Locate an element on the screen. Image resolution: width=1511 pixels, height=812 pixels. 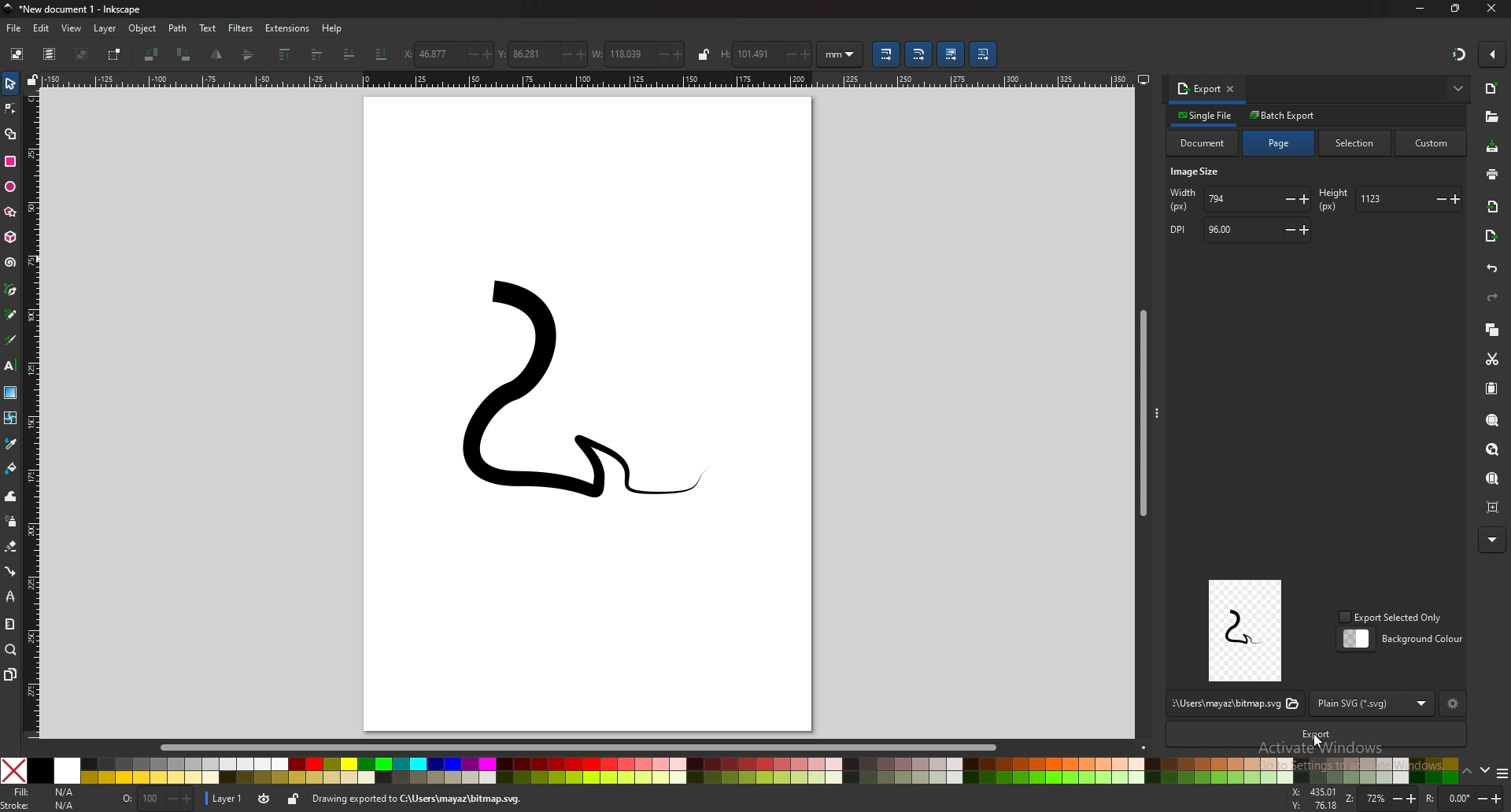
image size is located at coordinates (1199, 173).